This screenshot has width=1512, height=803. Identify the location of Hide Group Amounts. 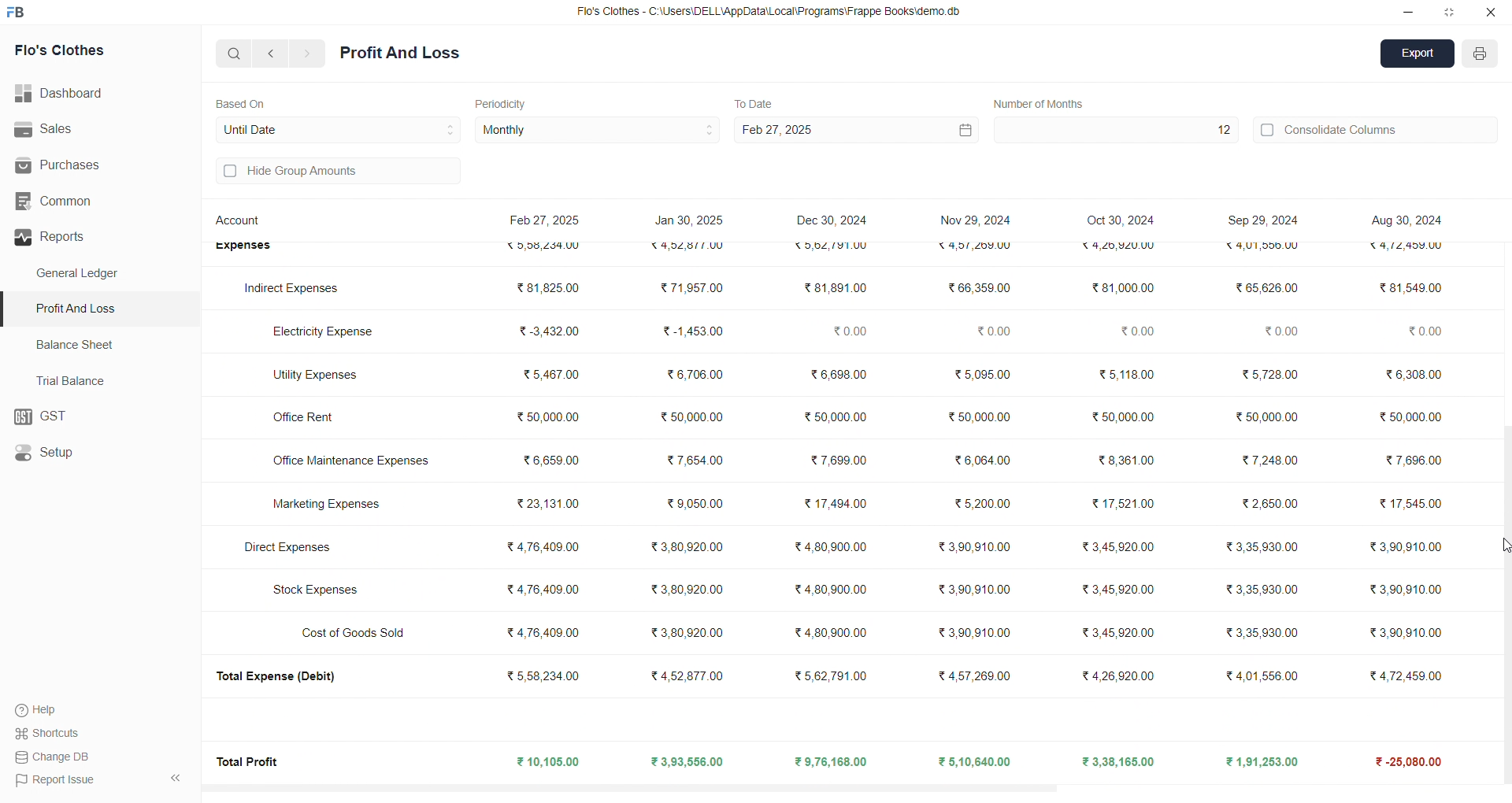
(335, 172).